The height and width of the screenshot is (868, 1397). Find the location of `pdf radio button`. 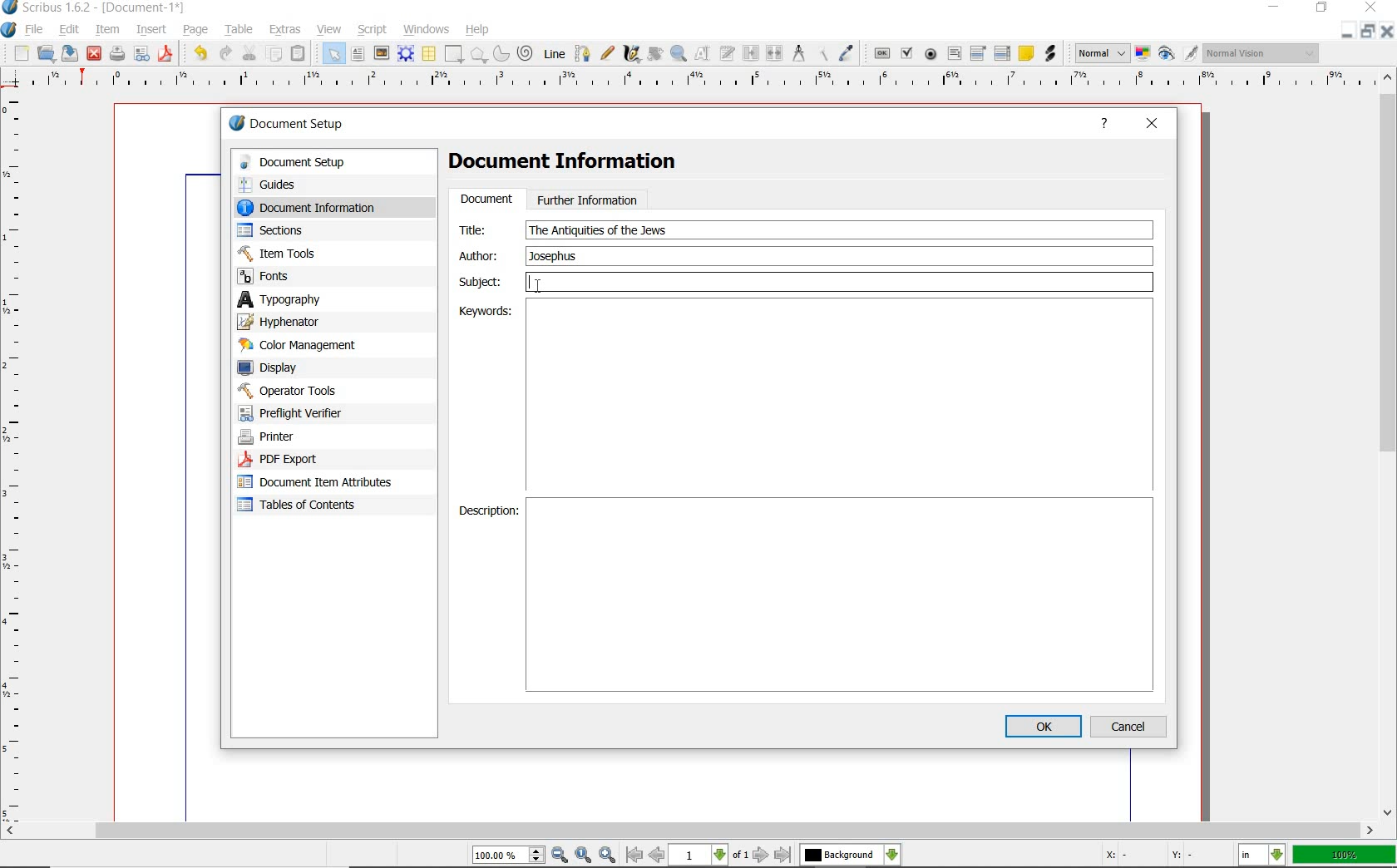

pdf radio button is located at coordinates (931, 54).